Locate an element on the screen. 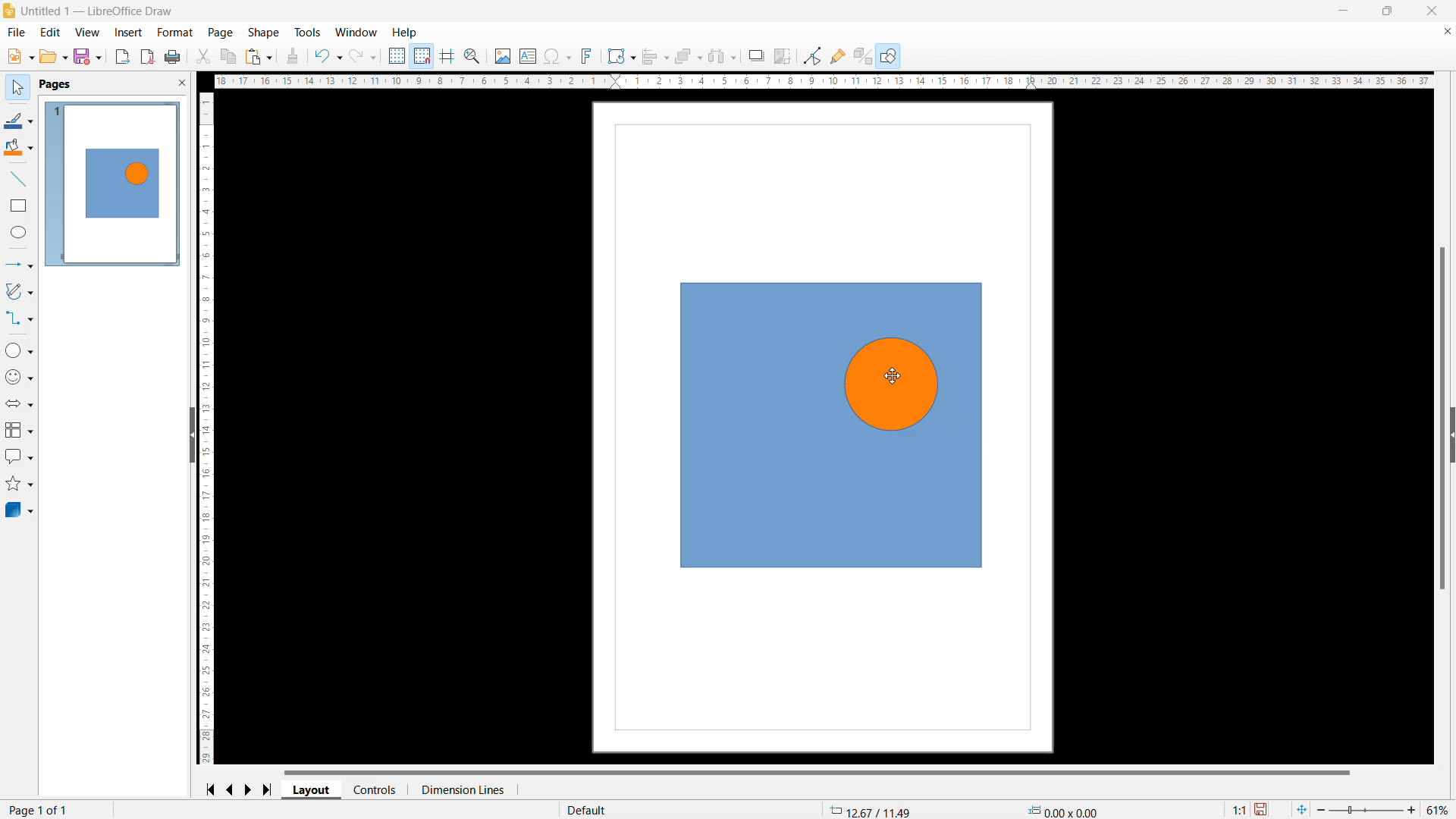  vertical ruler is located at coordinates (209, 428).